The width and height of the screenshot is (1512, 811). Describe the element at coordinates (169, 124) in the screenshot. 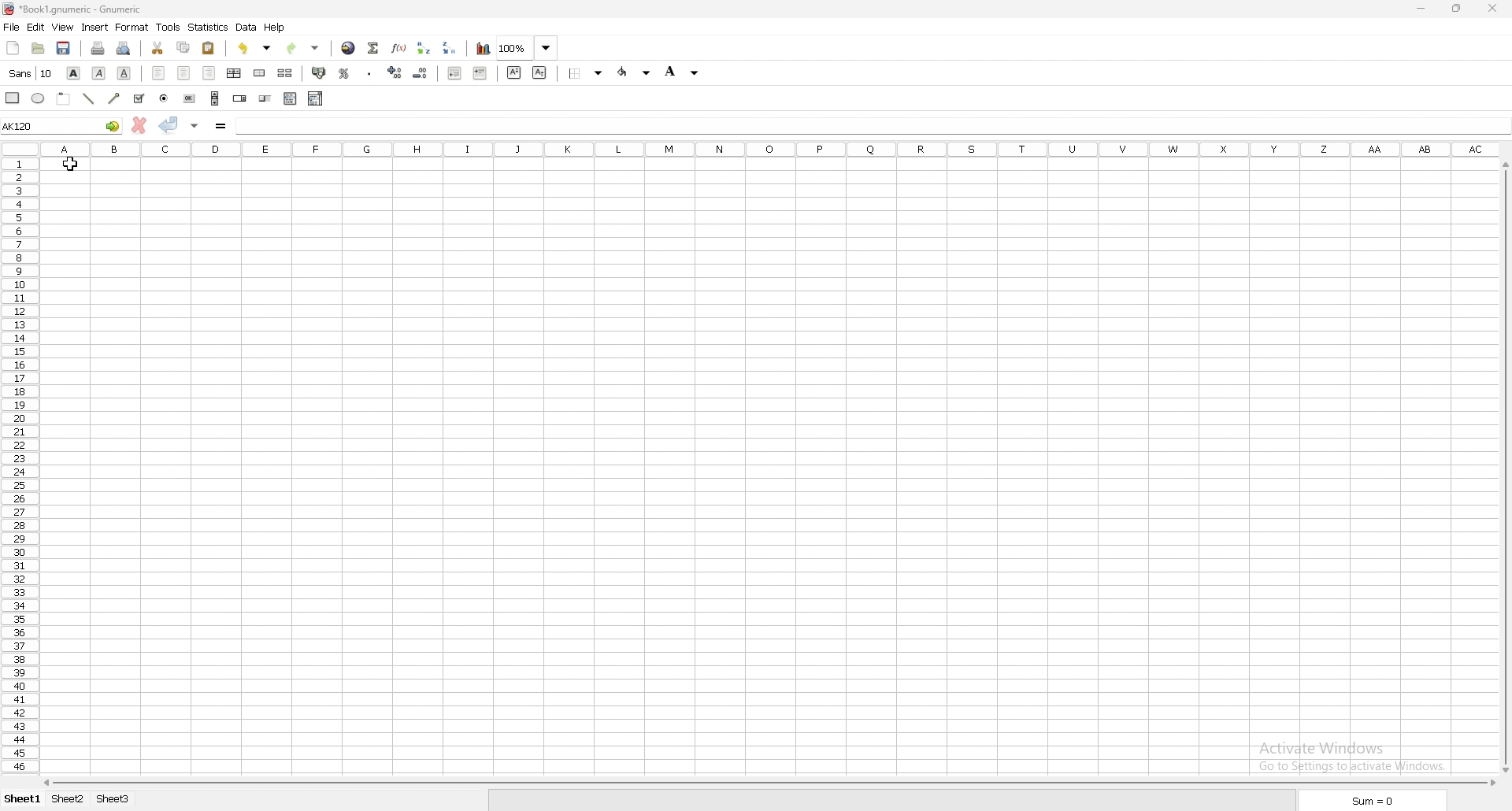

I see `accept changes` at that location.